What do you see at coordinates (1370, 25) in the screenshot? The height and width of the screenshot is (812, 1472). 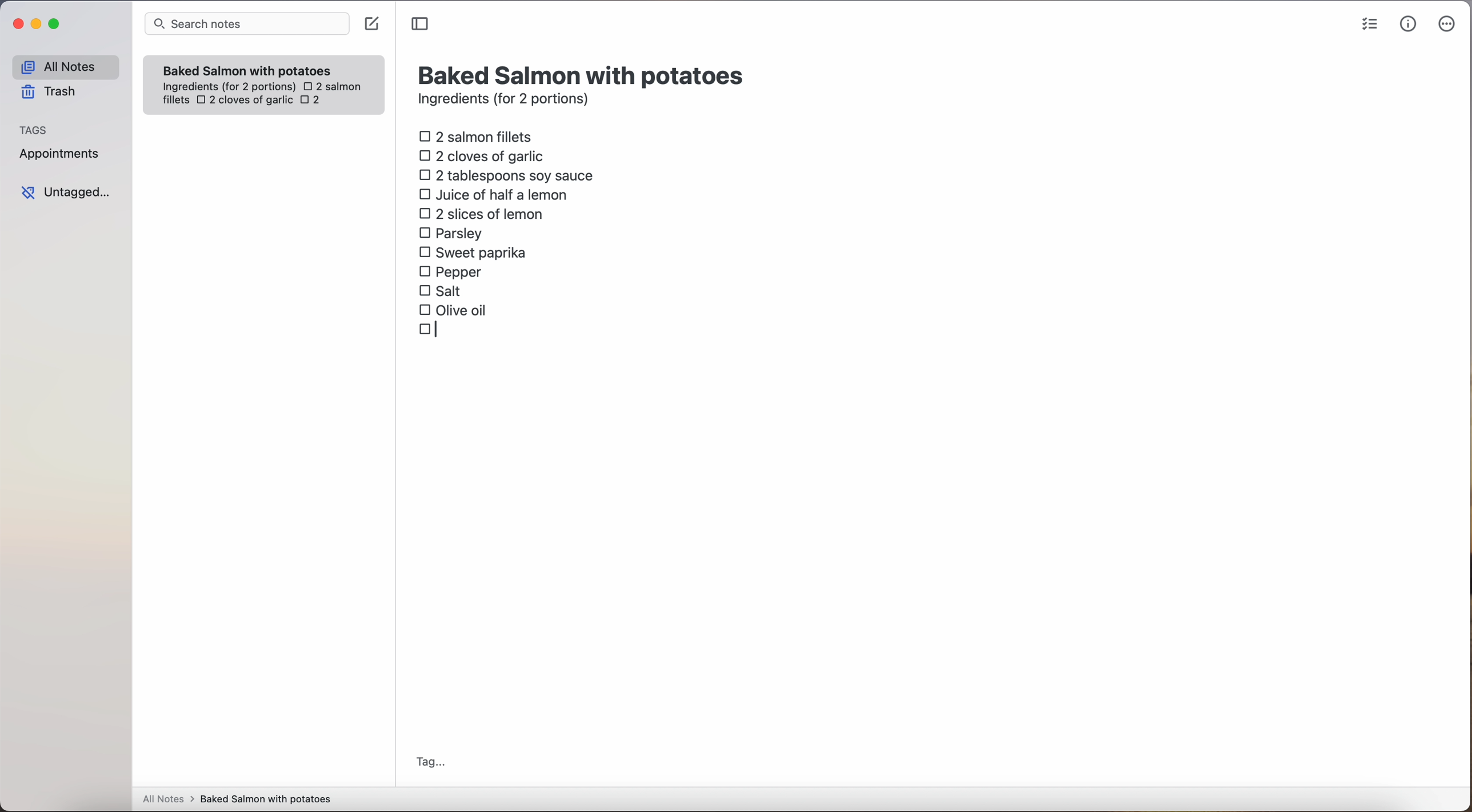 I see `check list` at bounding box center [1370, 25].